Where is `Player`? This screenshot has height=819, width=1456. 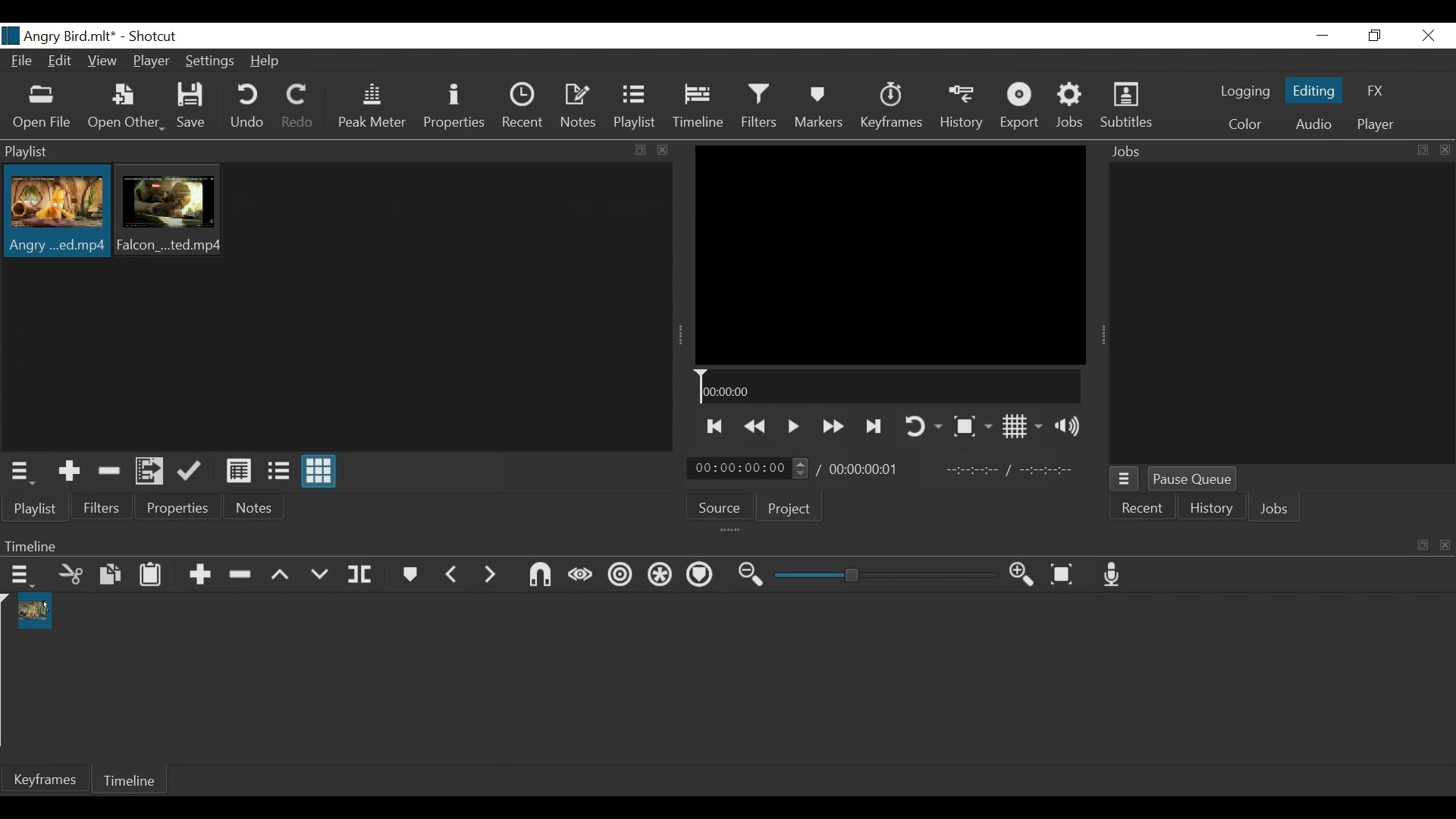
Player is located at coordinates (152, 61).